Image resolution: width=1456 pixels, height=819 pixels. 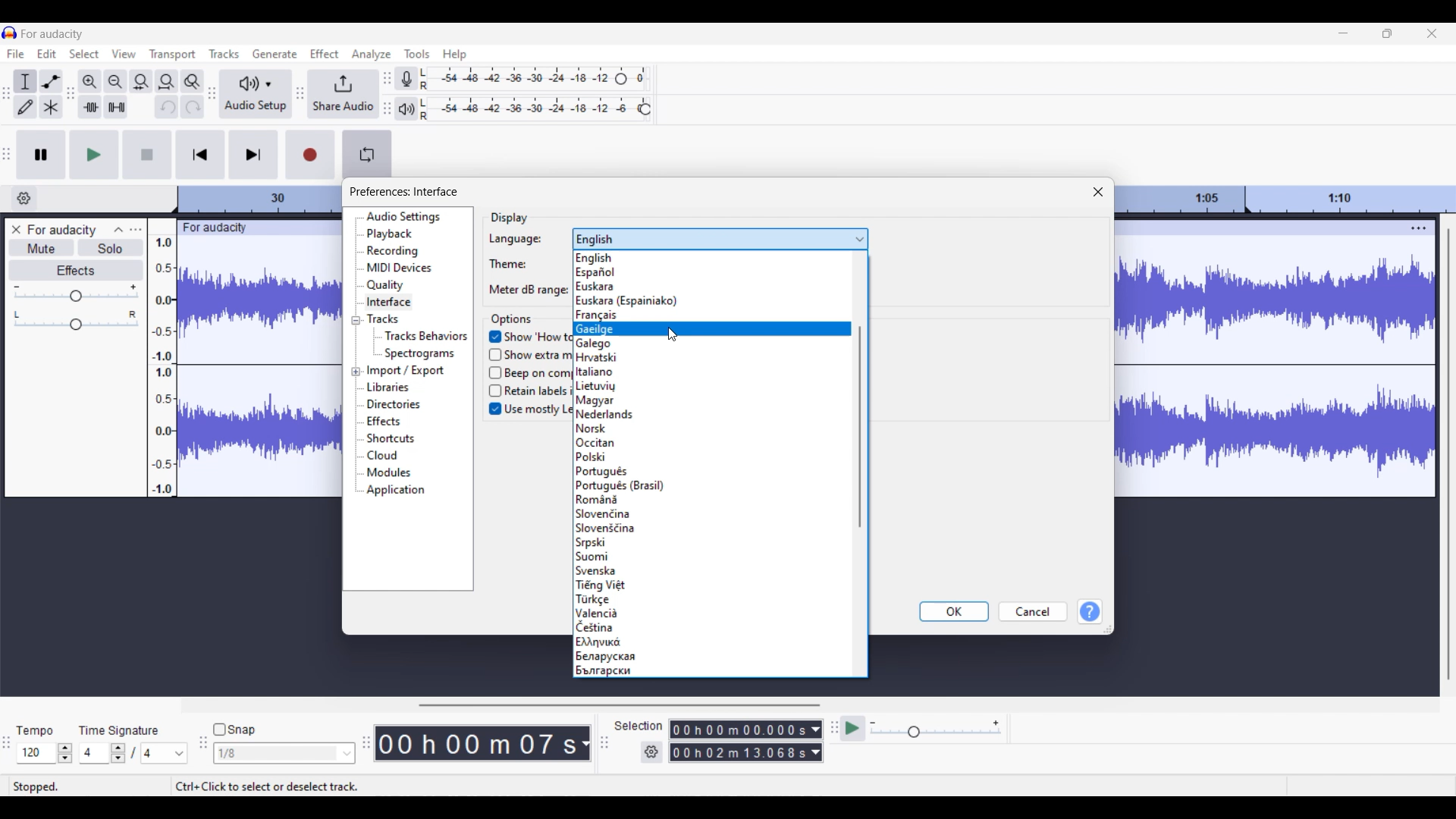 I want to click on 00 h 00 m 07 s, so click(x=476, y=743).